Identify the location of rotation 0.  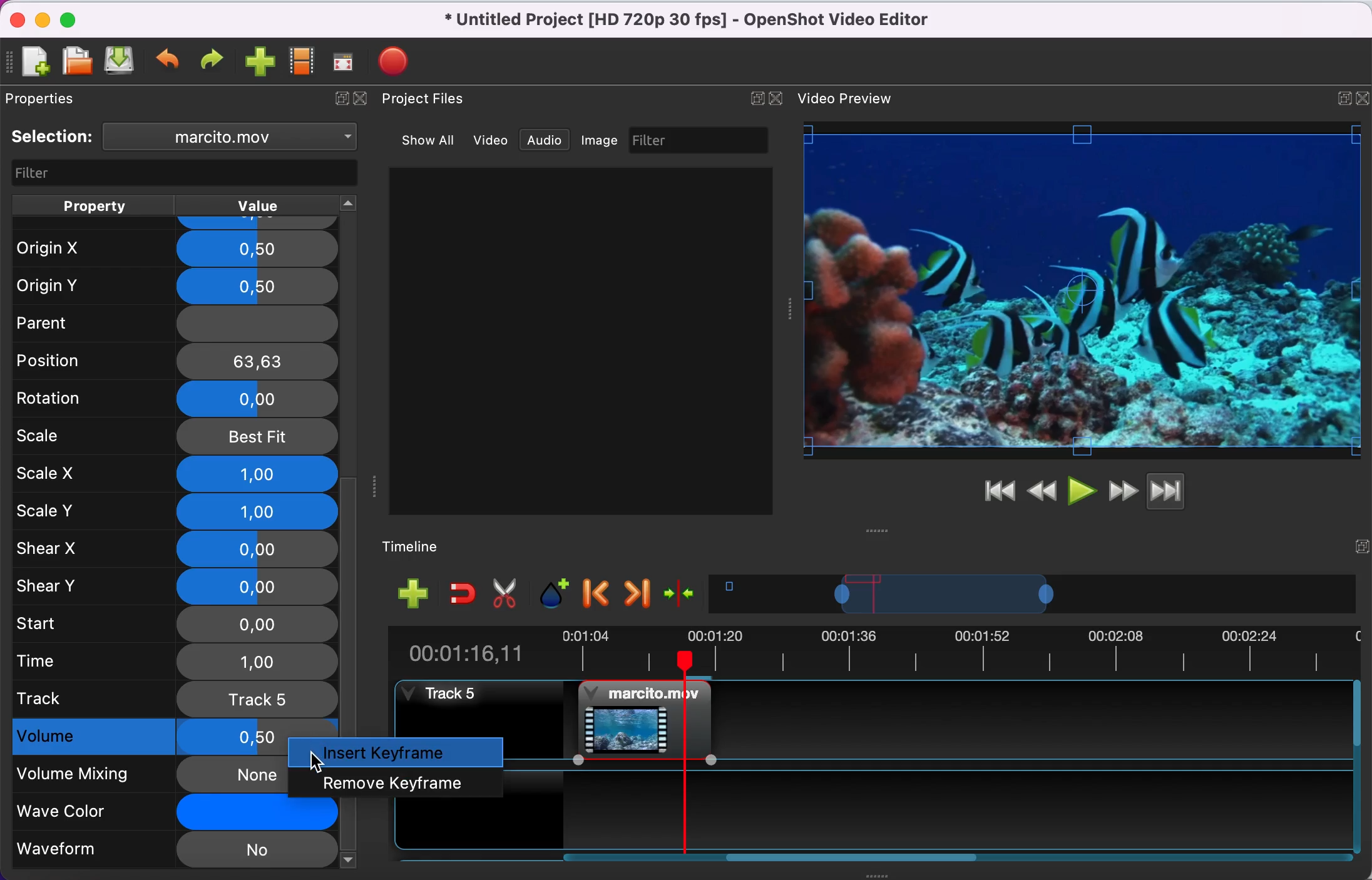
(170, 398).